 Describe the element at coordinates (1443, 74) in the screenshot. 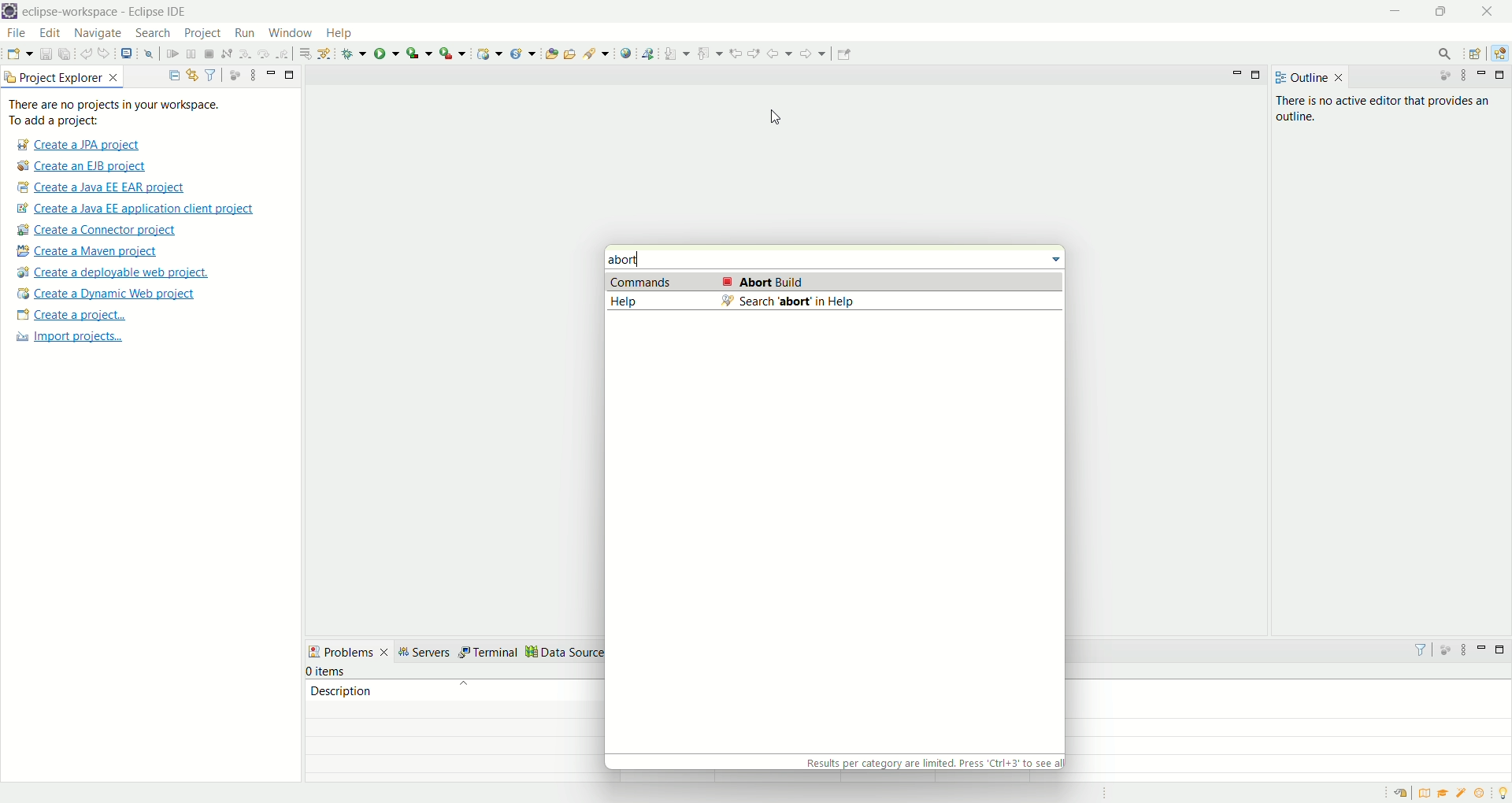

I see `focus on active task` at that location.